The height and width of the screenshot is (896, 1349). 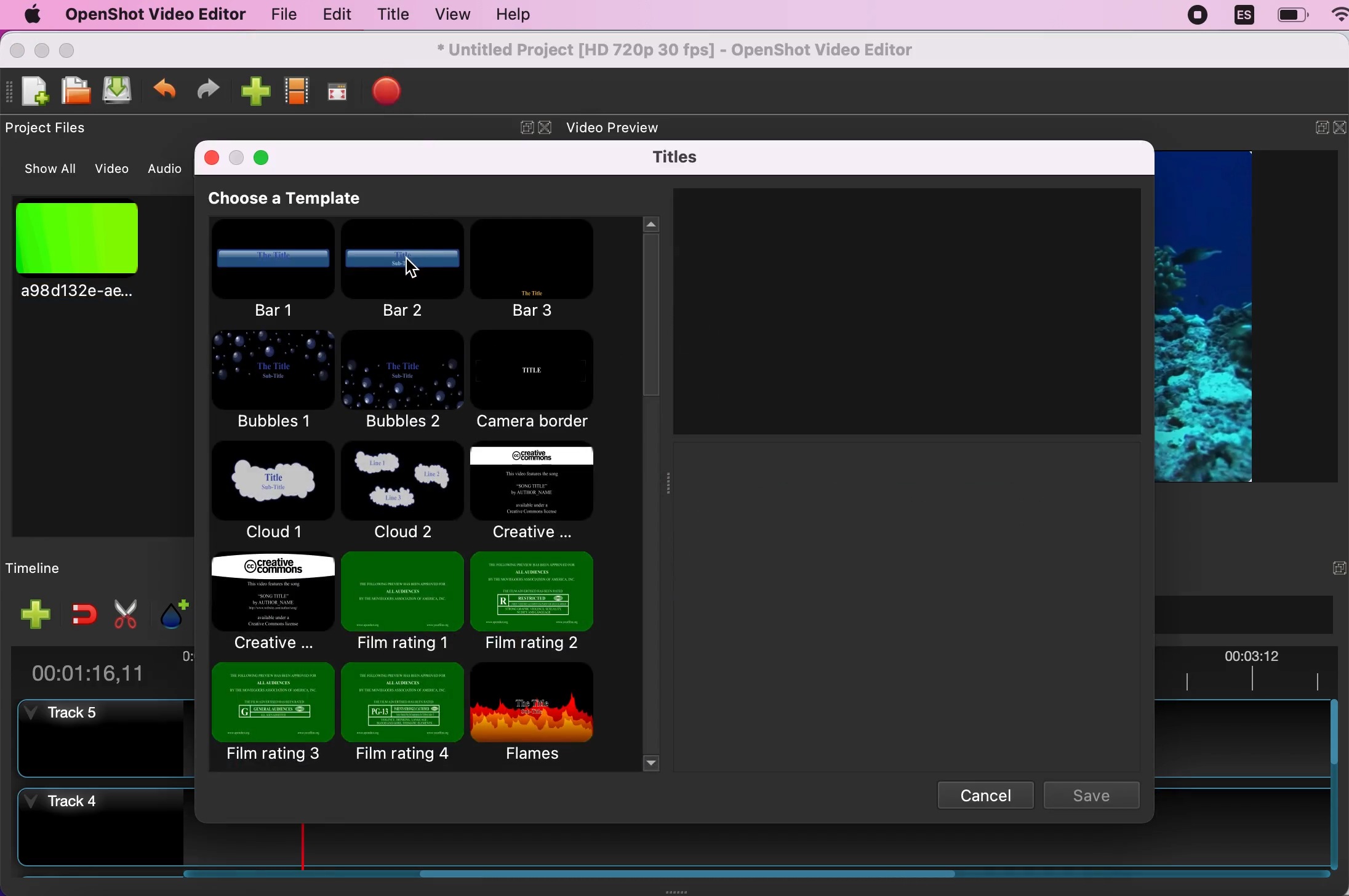 I want to click on bar 3, so click(x=534, y=268).